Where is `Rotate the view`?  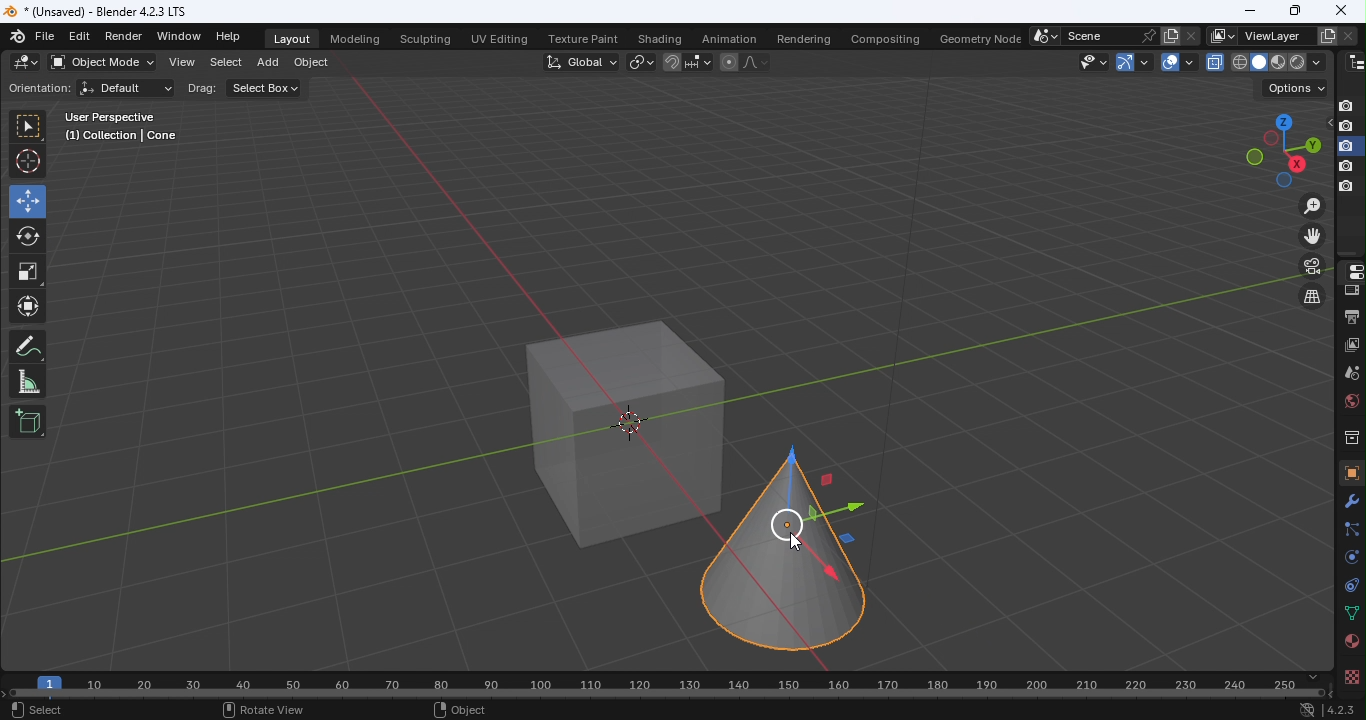
Rotate the view is located at coordinates (1310, 144).